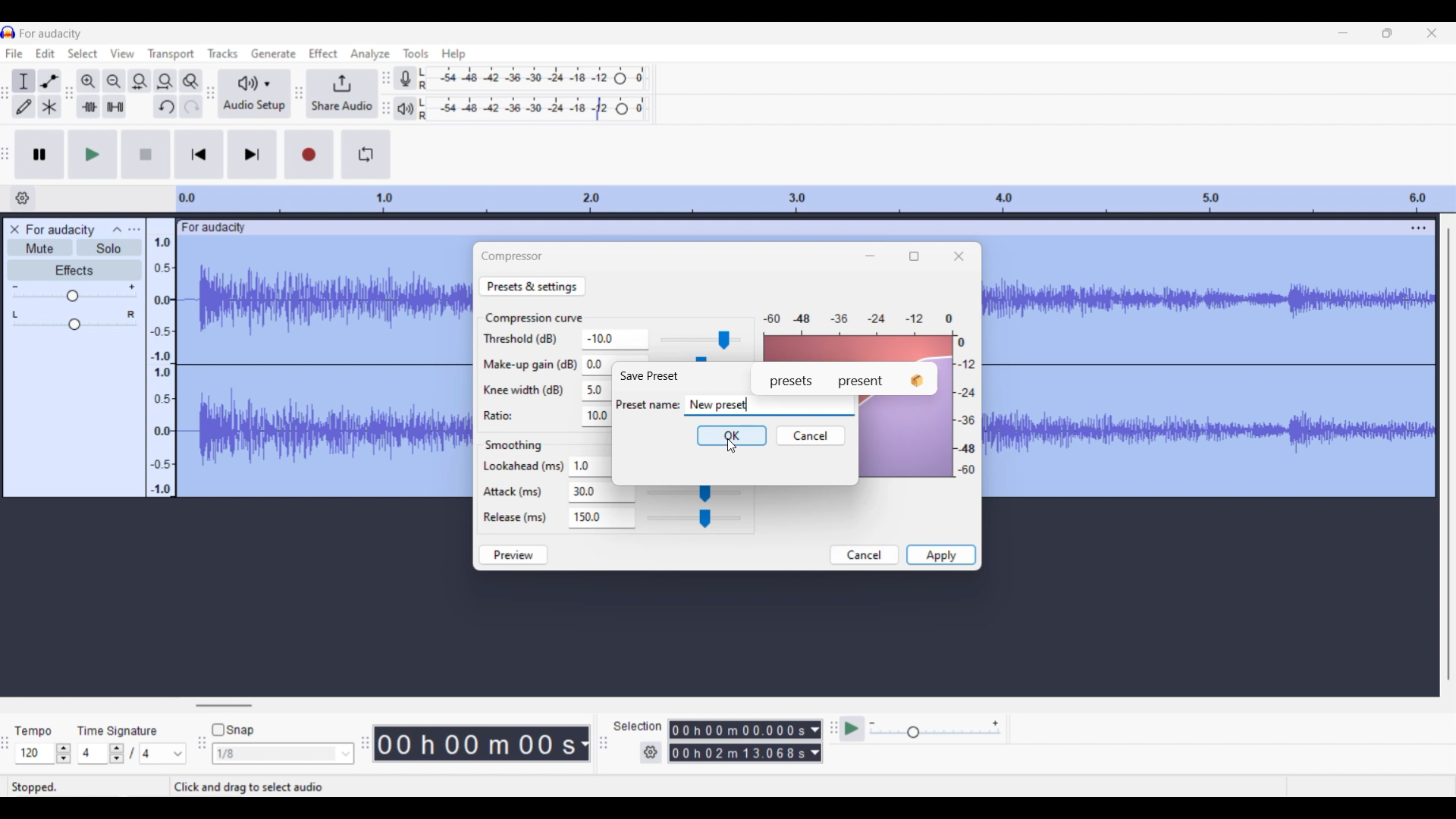 Image resolution: width=1456 pixels, height=819 pixels. Describe the element at coordinates (133, 753) in the screenshot. I see `Time signature settings` at that location.